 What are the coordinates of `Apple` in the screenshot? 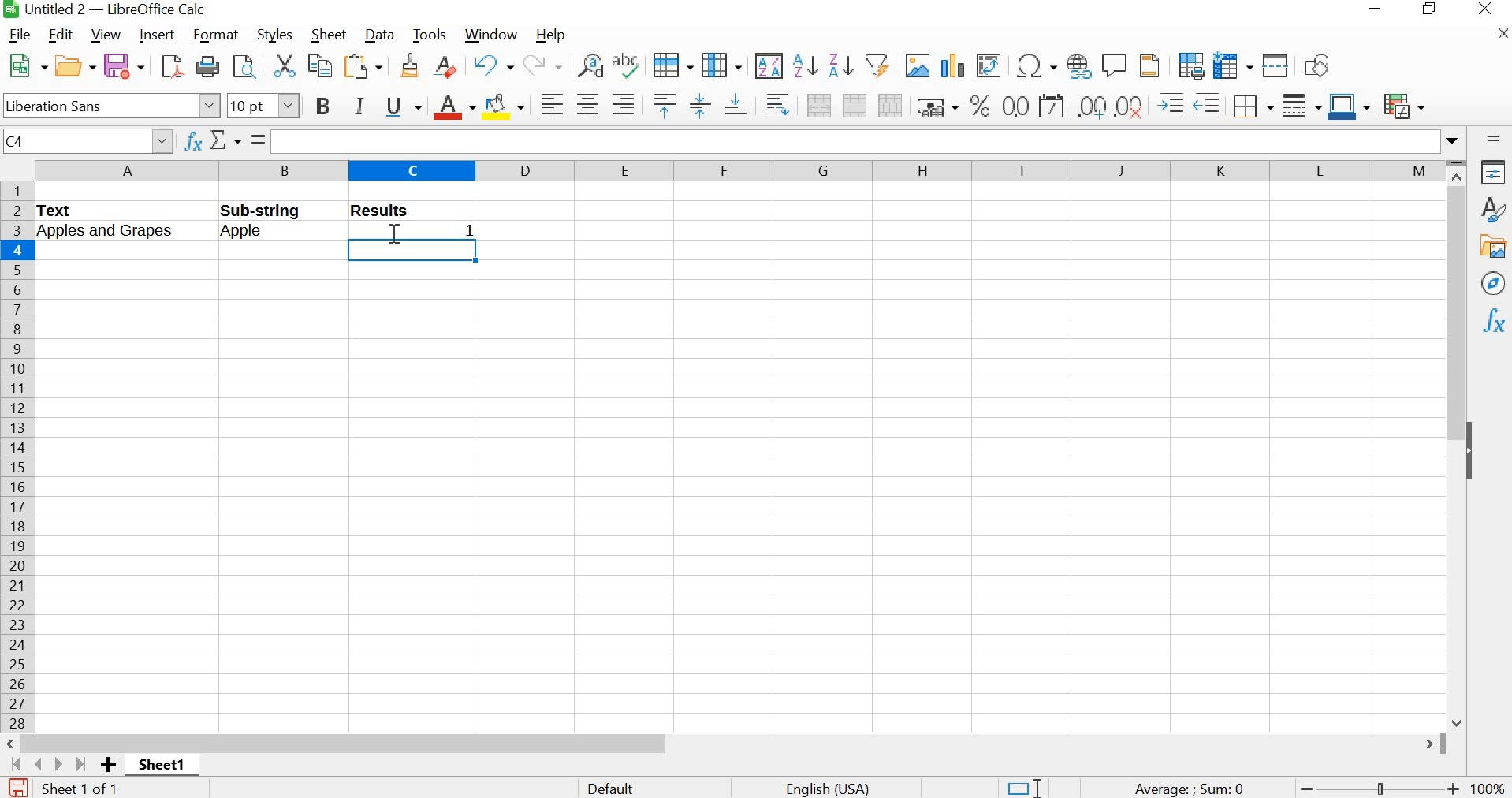 It's located at (259, 233).